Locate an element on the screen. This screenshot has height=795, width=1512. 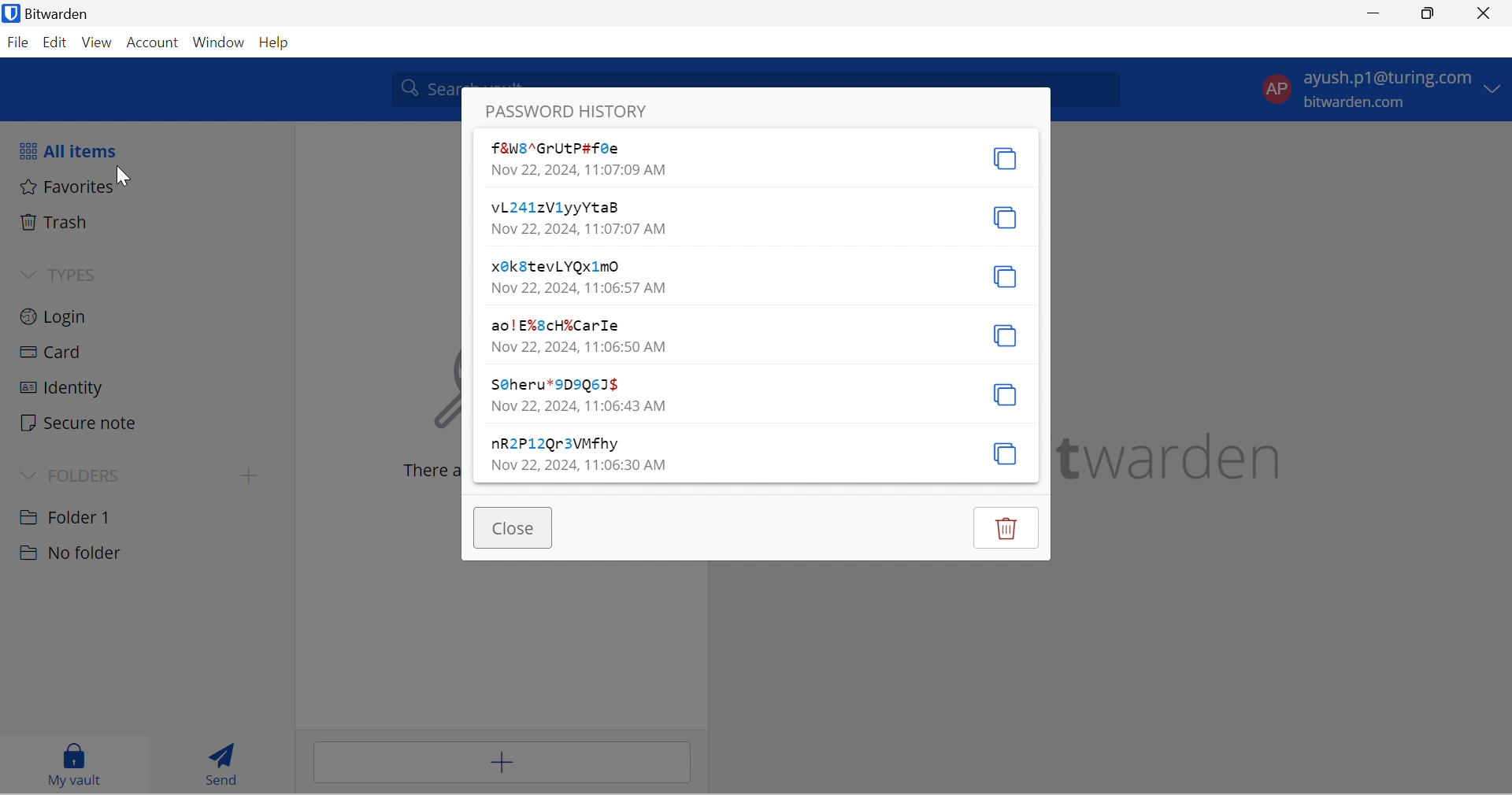
Identity is located at coordinates (64, 389).